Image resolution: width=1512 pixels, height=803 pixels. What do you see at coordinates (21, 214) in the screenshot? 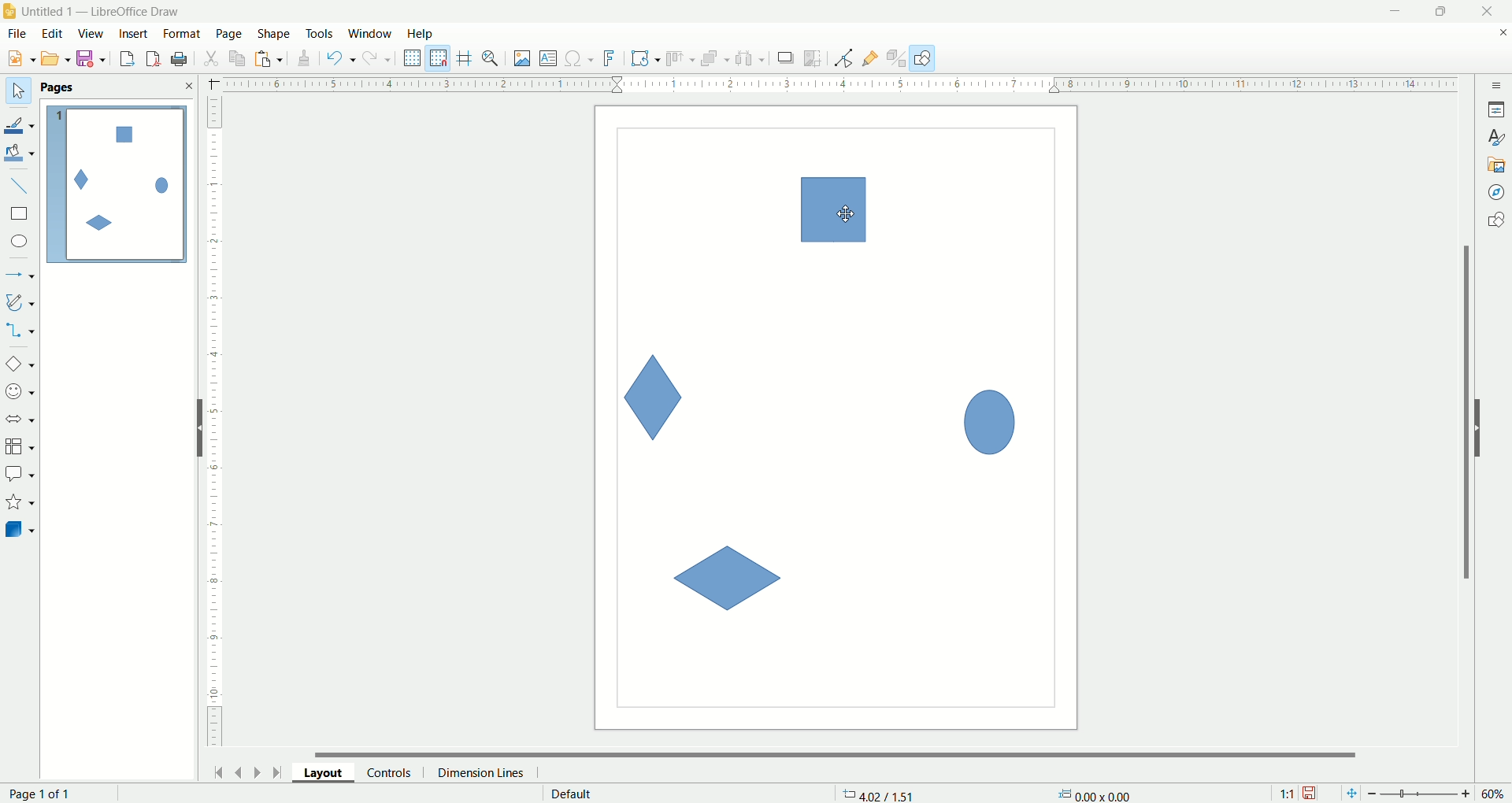
I see `rectangle` at bounding box center [21, 214].